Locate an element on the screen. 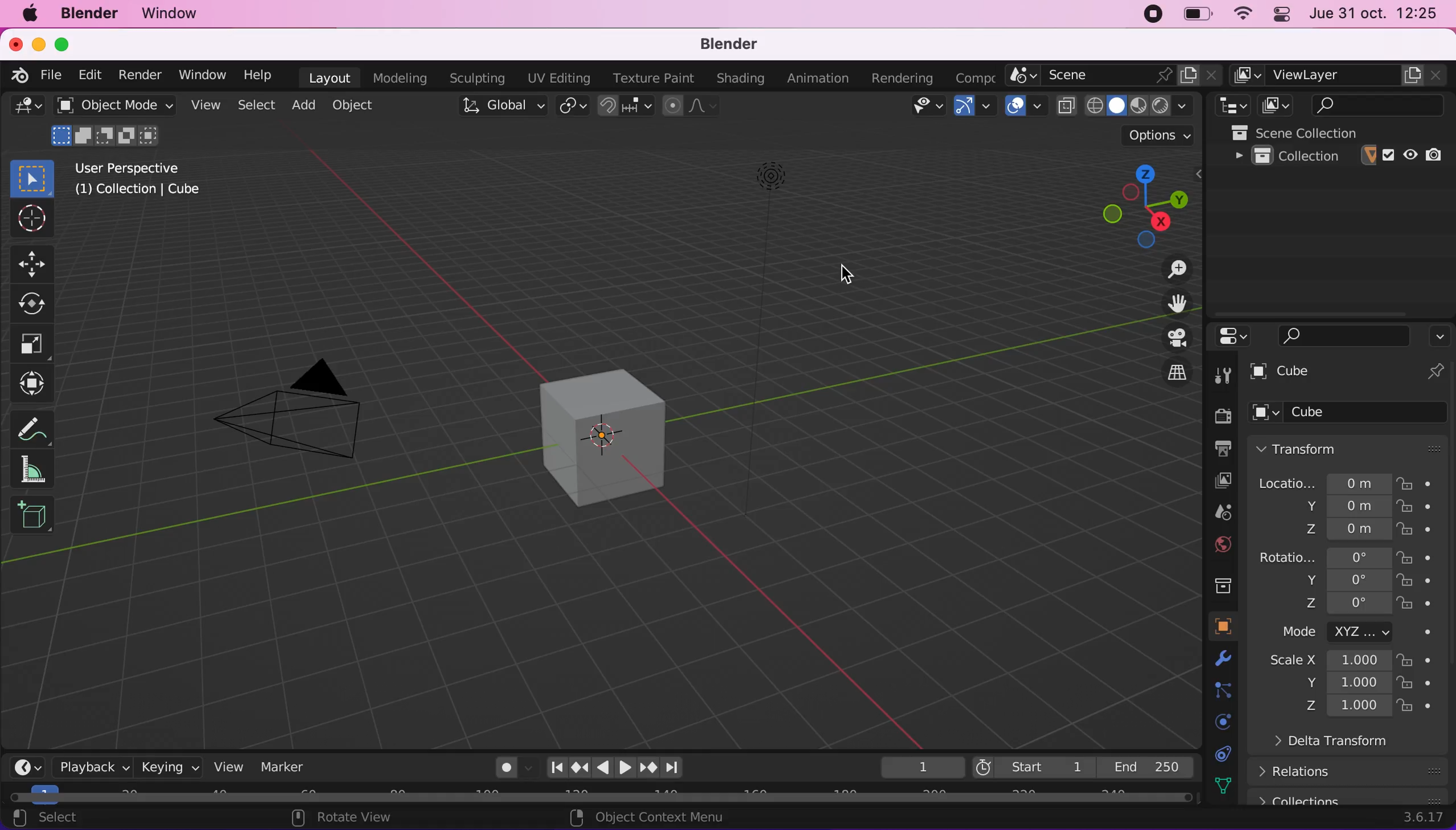 The width and height of the screenshot is (1456, 830). maximize is located at coordinates (63, 45).